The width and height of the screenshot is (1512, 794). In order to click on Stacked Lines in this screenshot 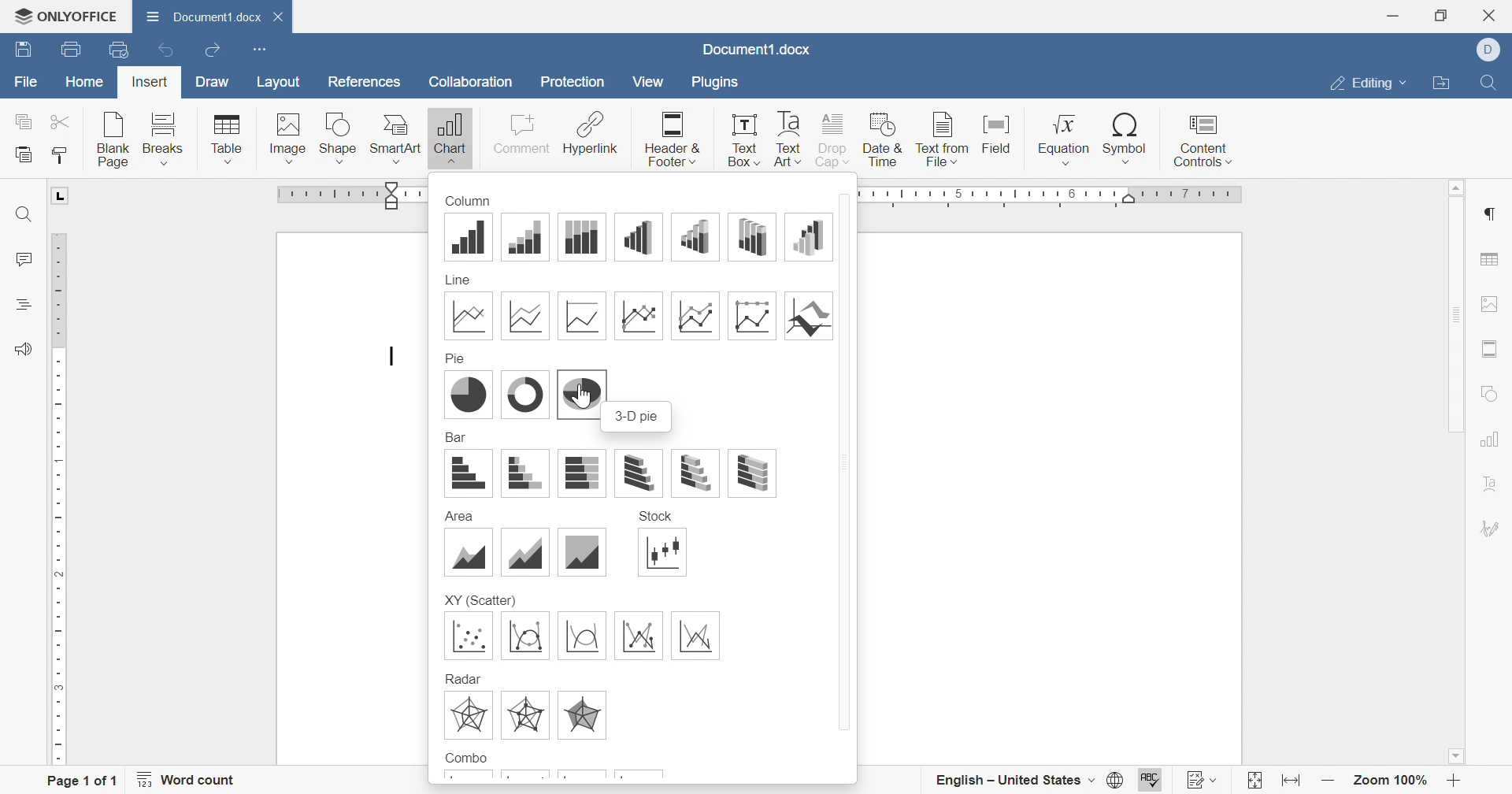, I will do `click(523, 314)`.